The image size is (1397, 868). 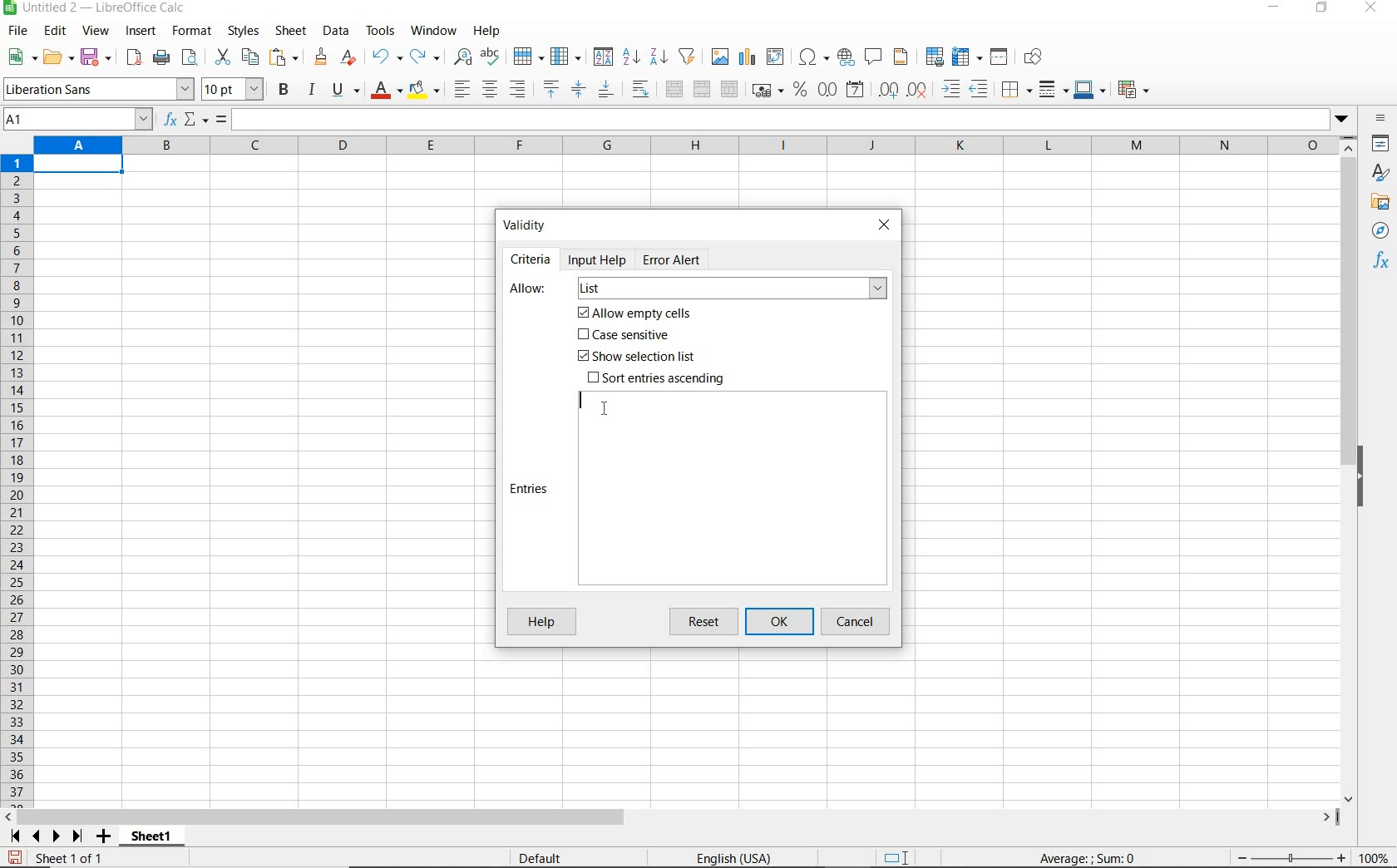 What do you see at coordinates (540, 623) in the screenshot?
I see `Help` at bounding box center [540, 623].